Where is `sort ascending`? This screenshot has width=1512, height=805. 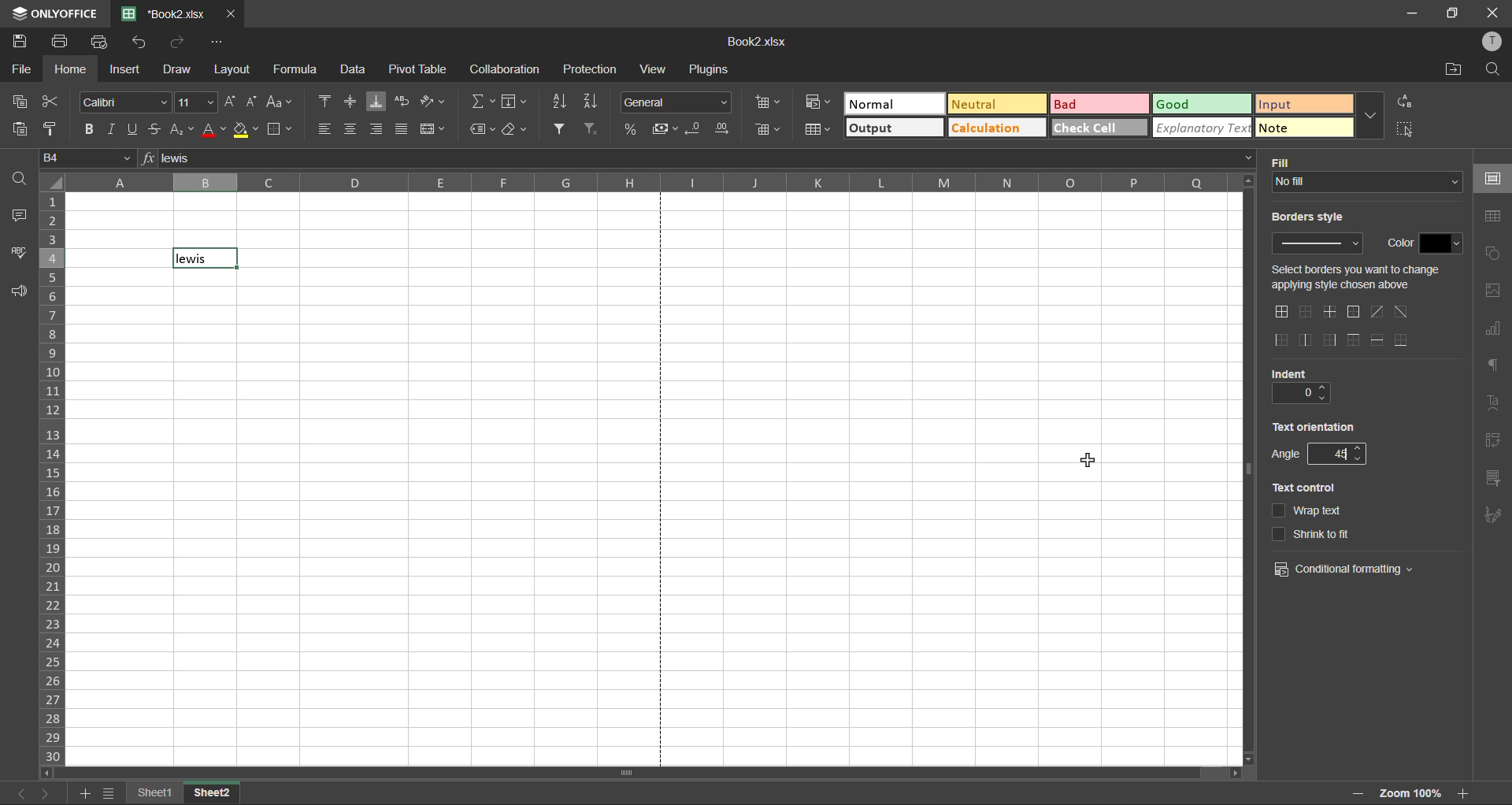
sort ascending is located at coordinates (561, 99).